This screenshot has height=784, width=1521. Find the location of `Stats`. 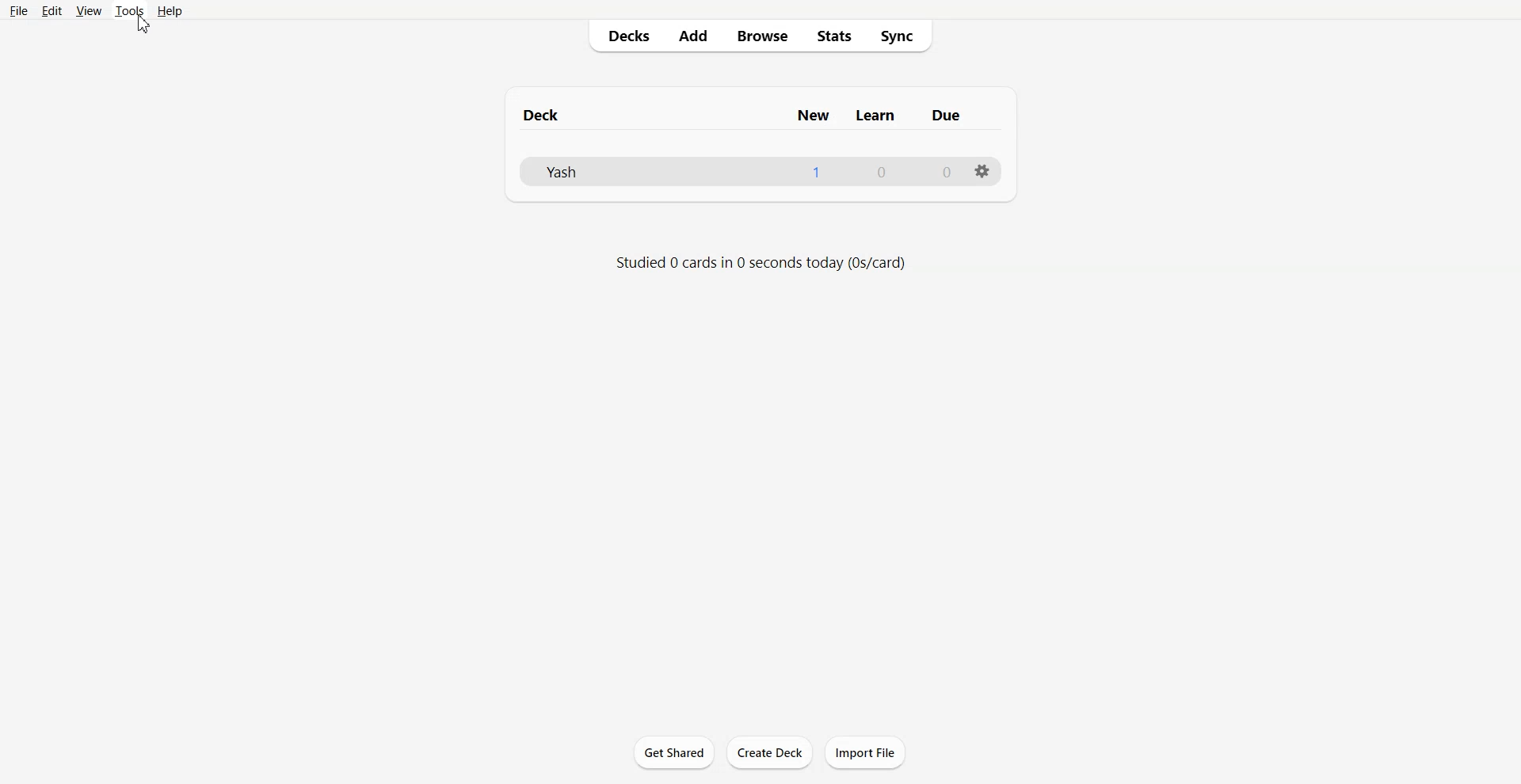

Stats is located at coordinates (838, 36).